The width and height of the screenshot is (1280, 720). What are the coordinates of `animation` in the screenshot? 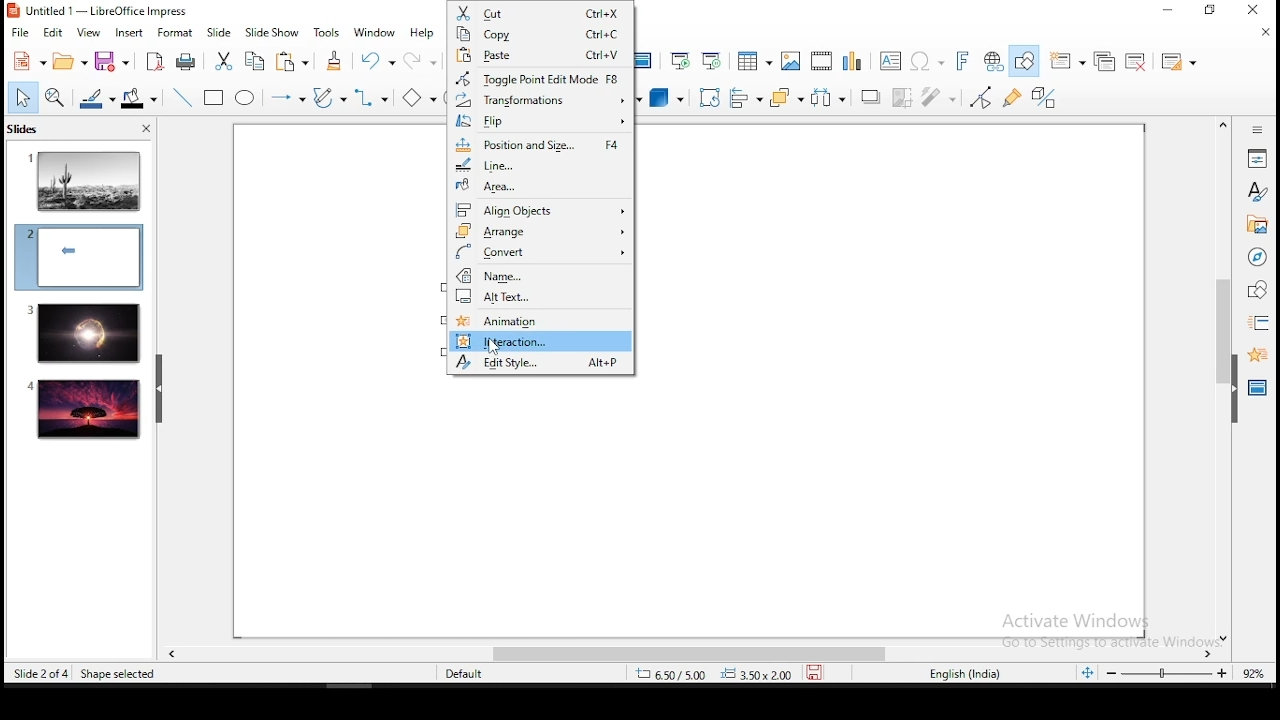 It's located at (543, 320).